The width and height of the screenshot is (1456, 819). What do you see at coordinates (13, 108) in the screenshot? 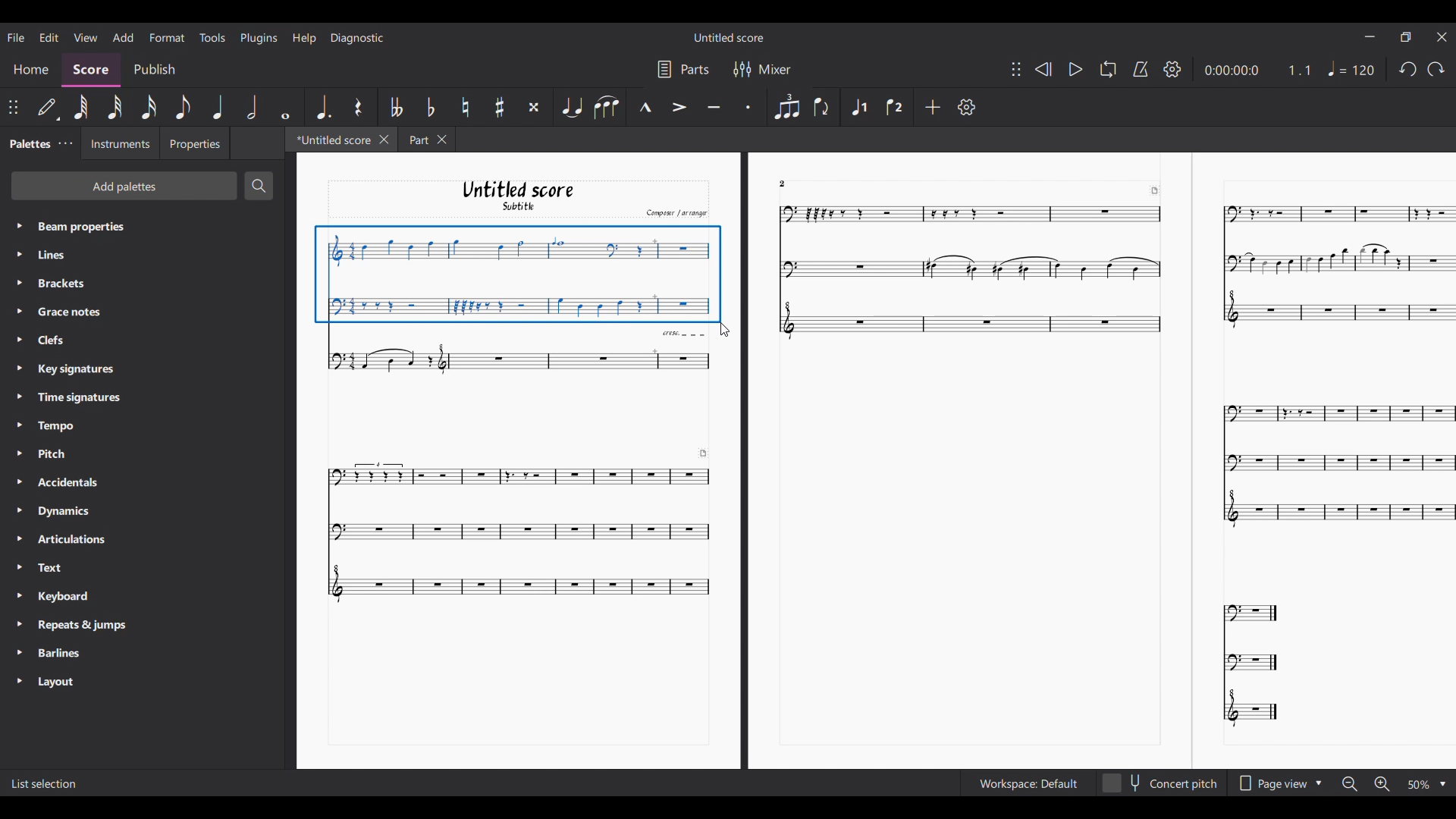
I see `Change position` at bounding box center [13, 108].